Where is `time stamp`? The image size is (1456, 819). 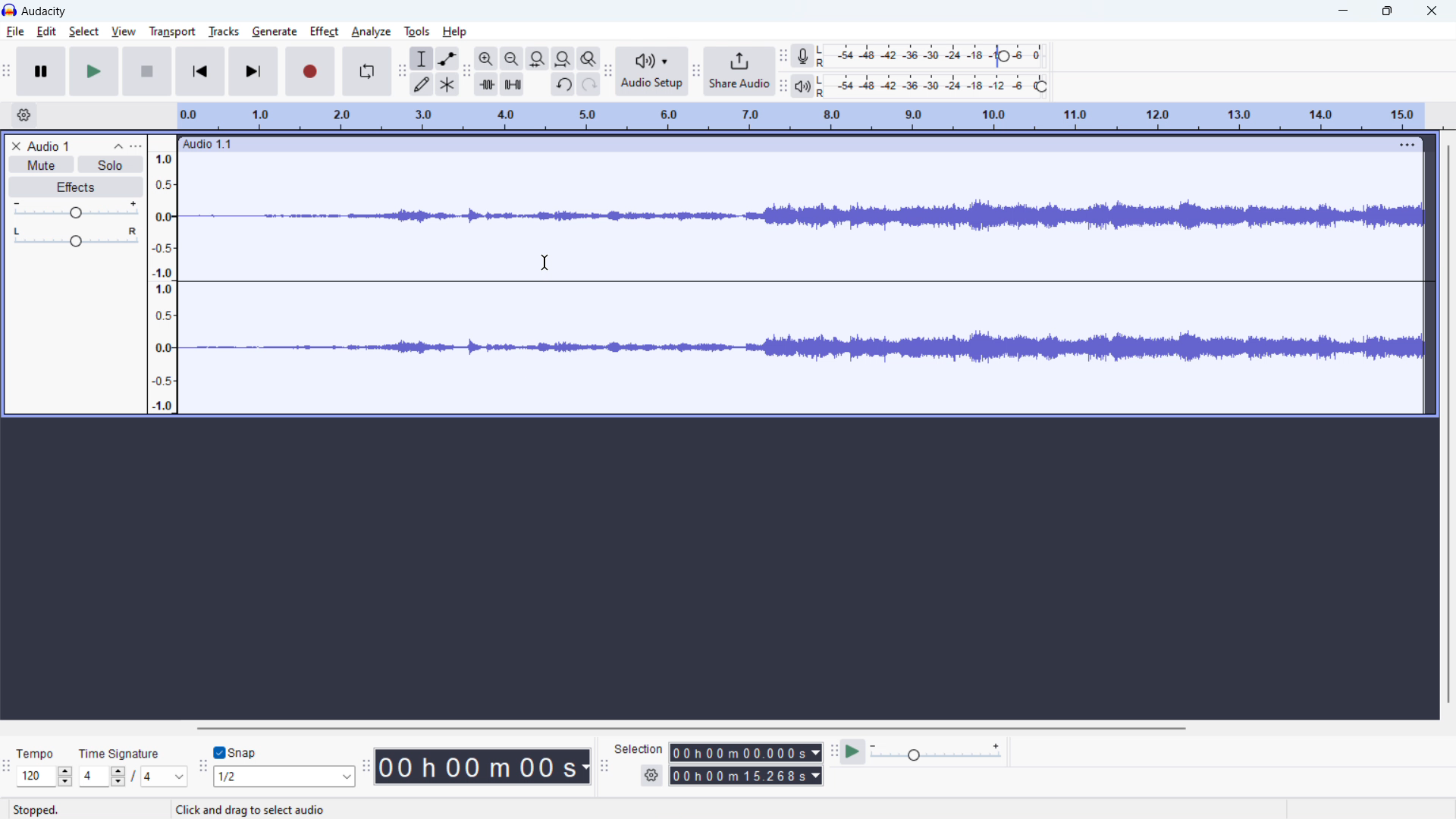 time stamp is located at coordinates (482, 767).